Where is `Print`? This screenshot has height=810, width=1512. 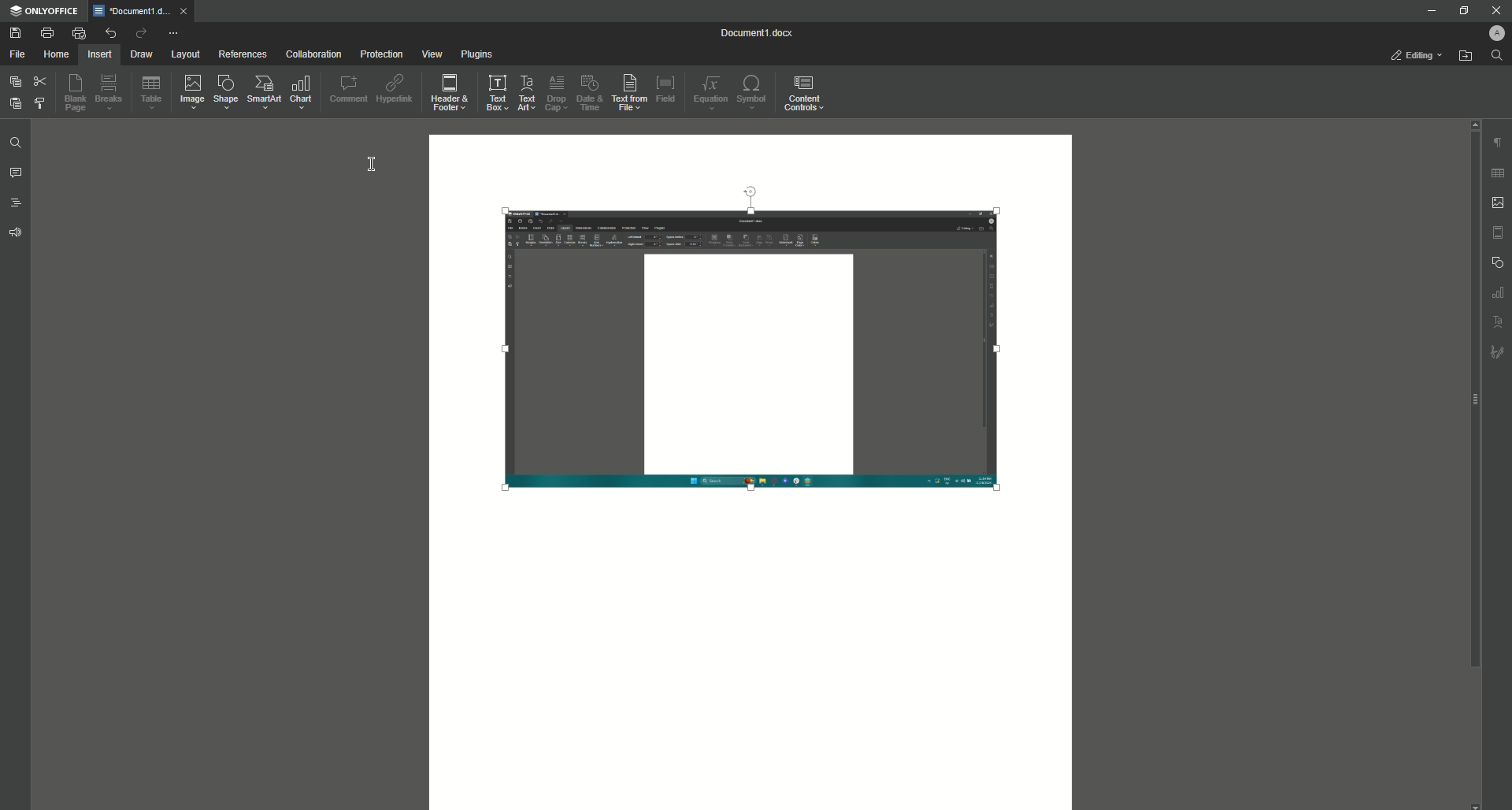 Print is located at coordinates (46, 33).